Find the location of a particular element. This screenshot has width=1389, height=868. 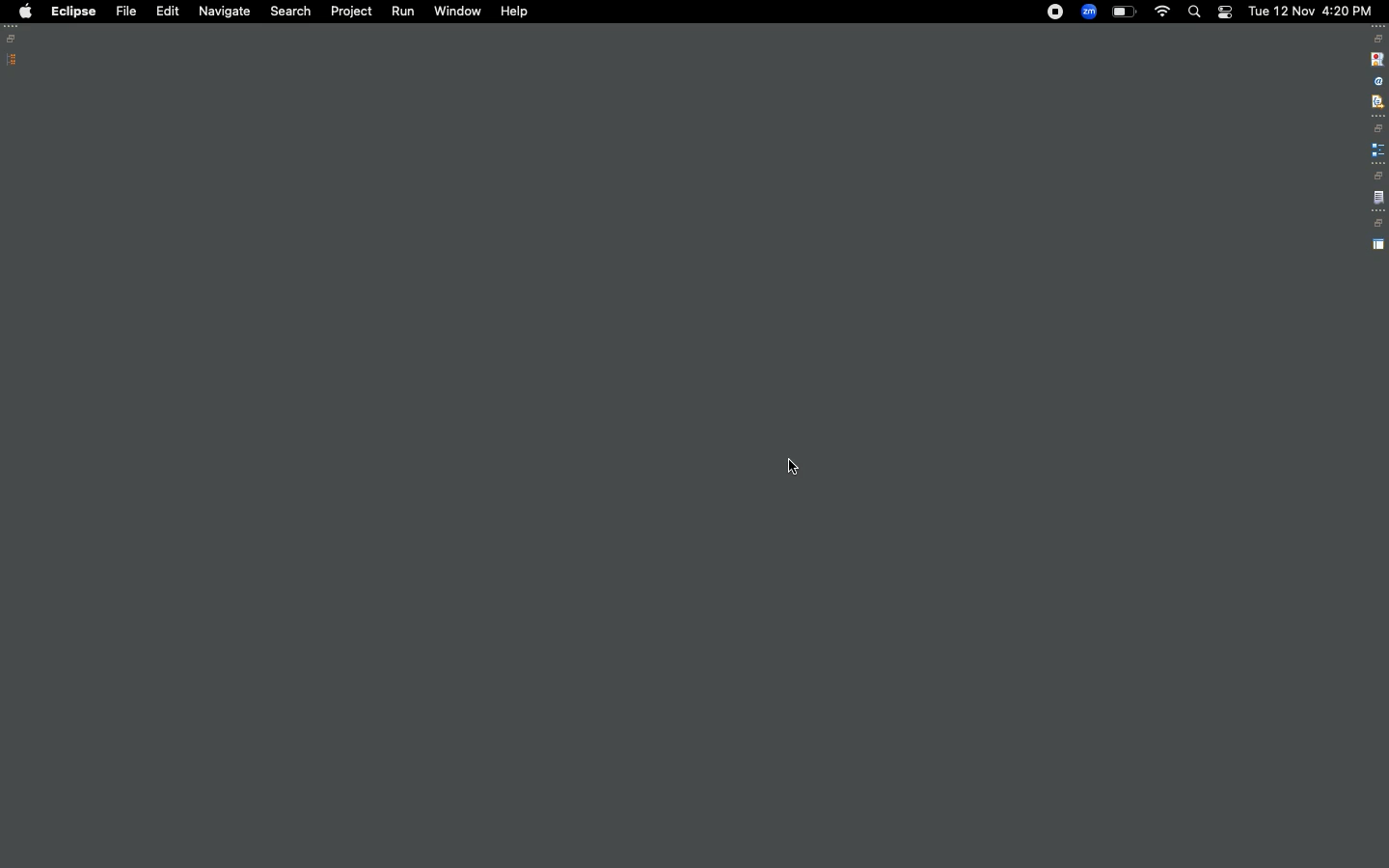

restore is located at coordinates (1379, 128).